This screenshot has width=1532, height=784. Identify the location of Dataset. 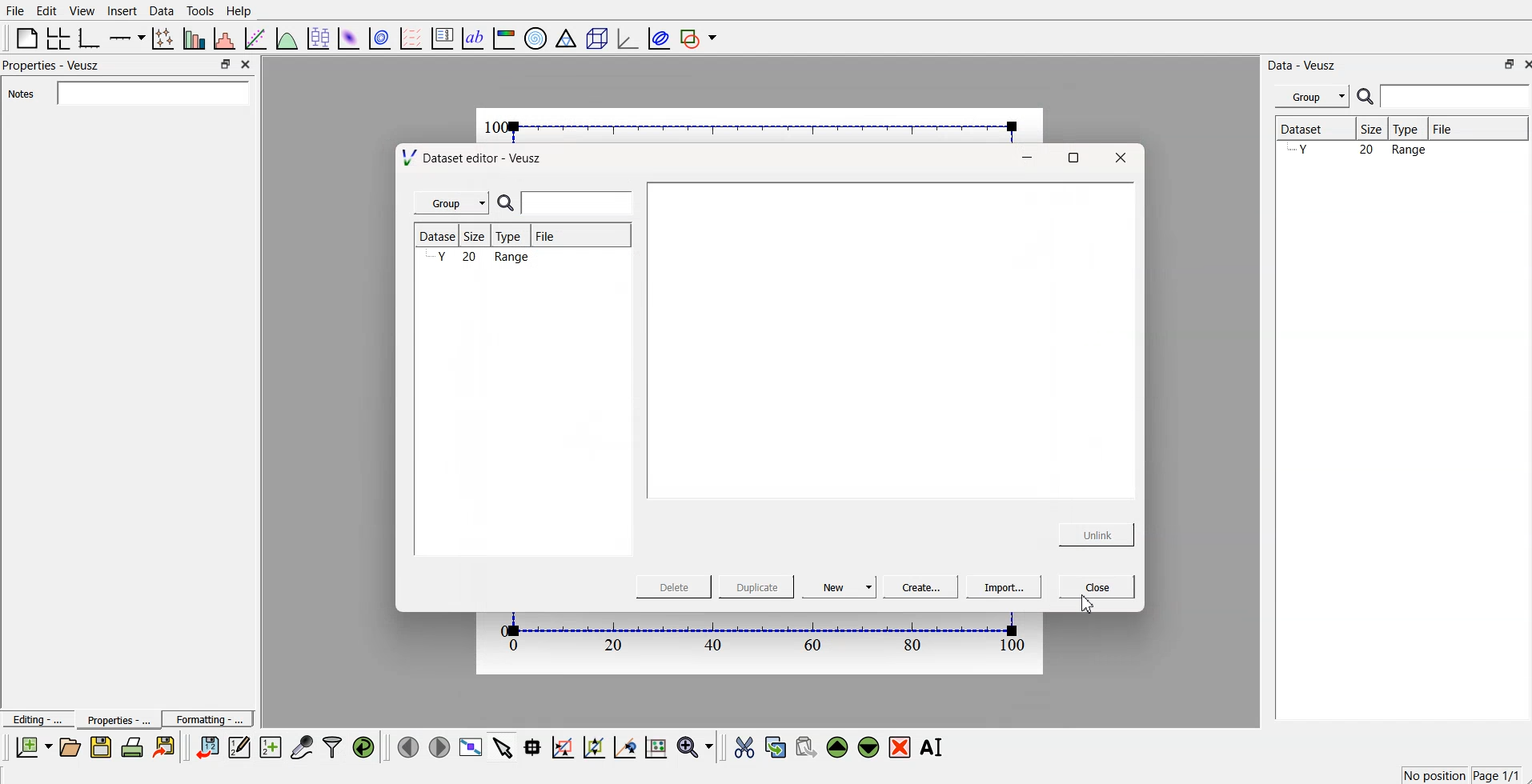
(436, 235).